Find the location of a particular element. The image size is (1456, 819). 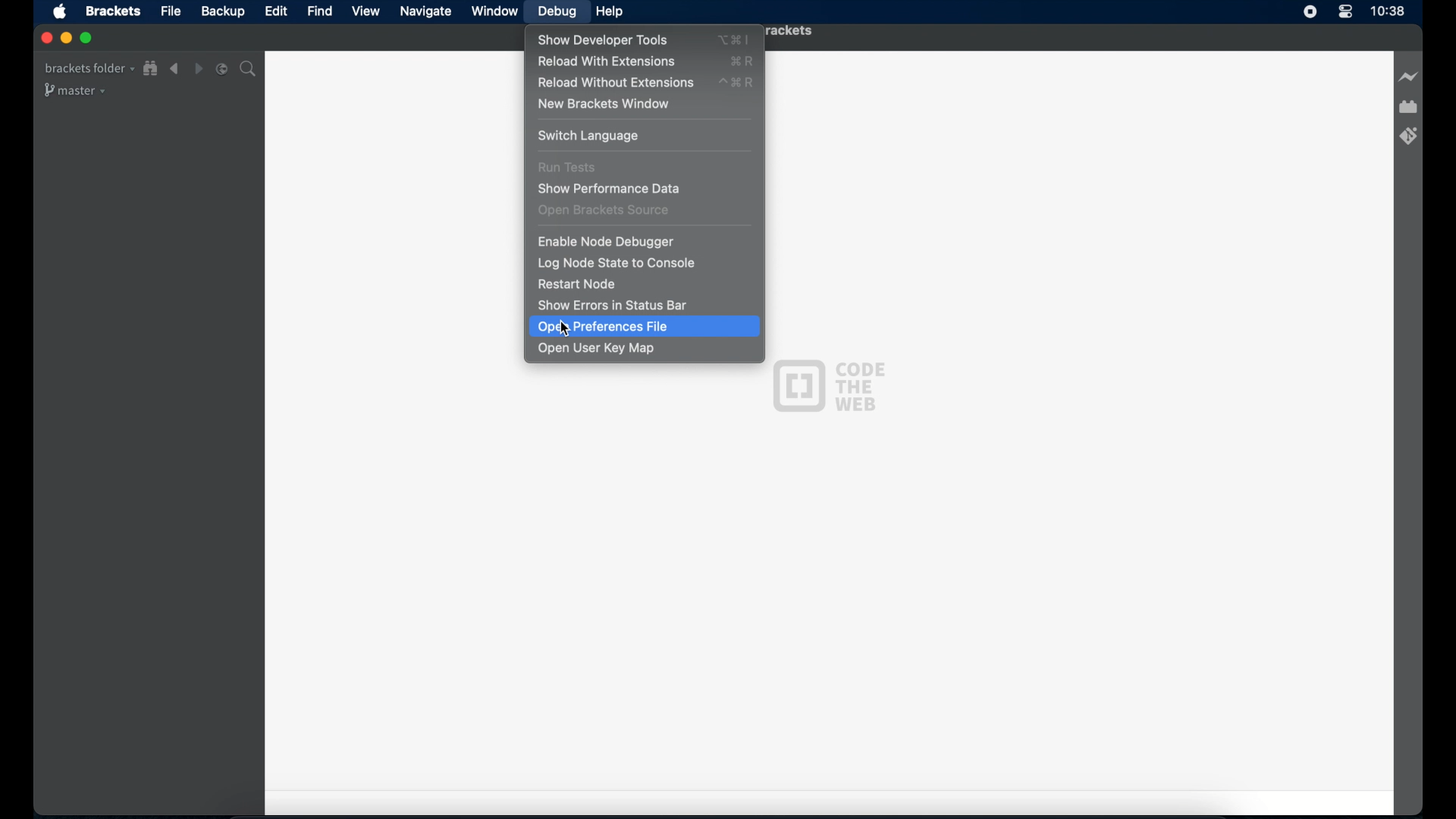

log node state to console is located at coordinates (617, 264).